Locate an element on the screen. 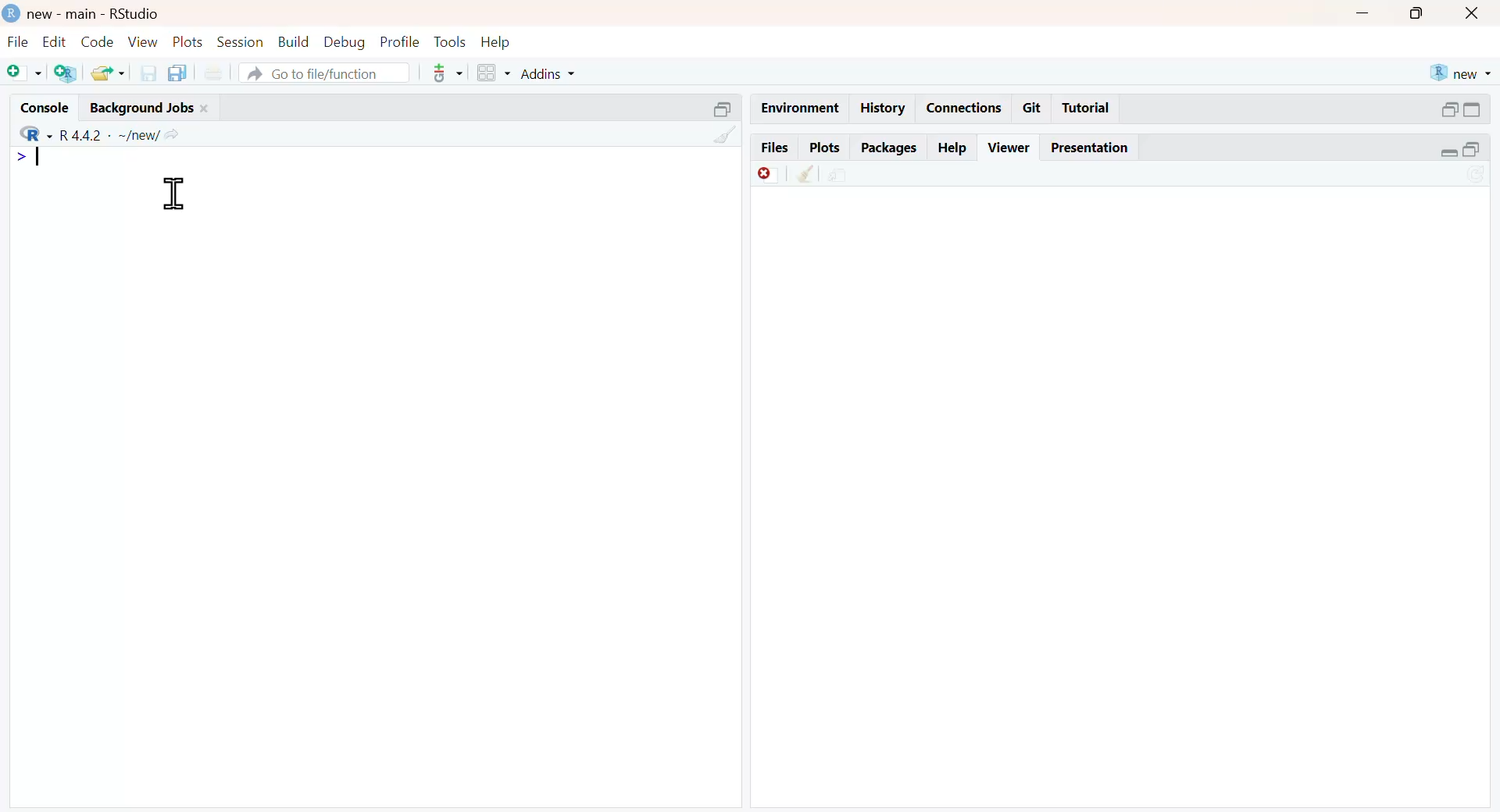 Image resolution: width=1500 pixels, height=812 pixels. clean is located at coordinates (806, 175).